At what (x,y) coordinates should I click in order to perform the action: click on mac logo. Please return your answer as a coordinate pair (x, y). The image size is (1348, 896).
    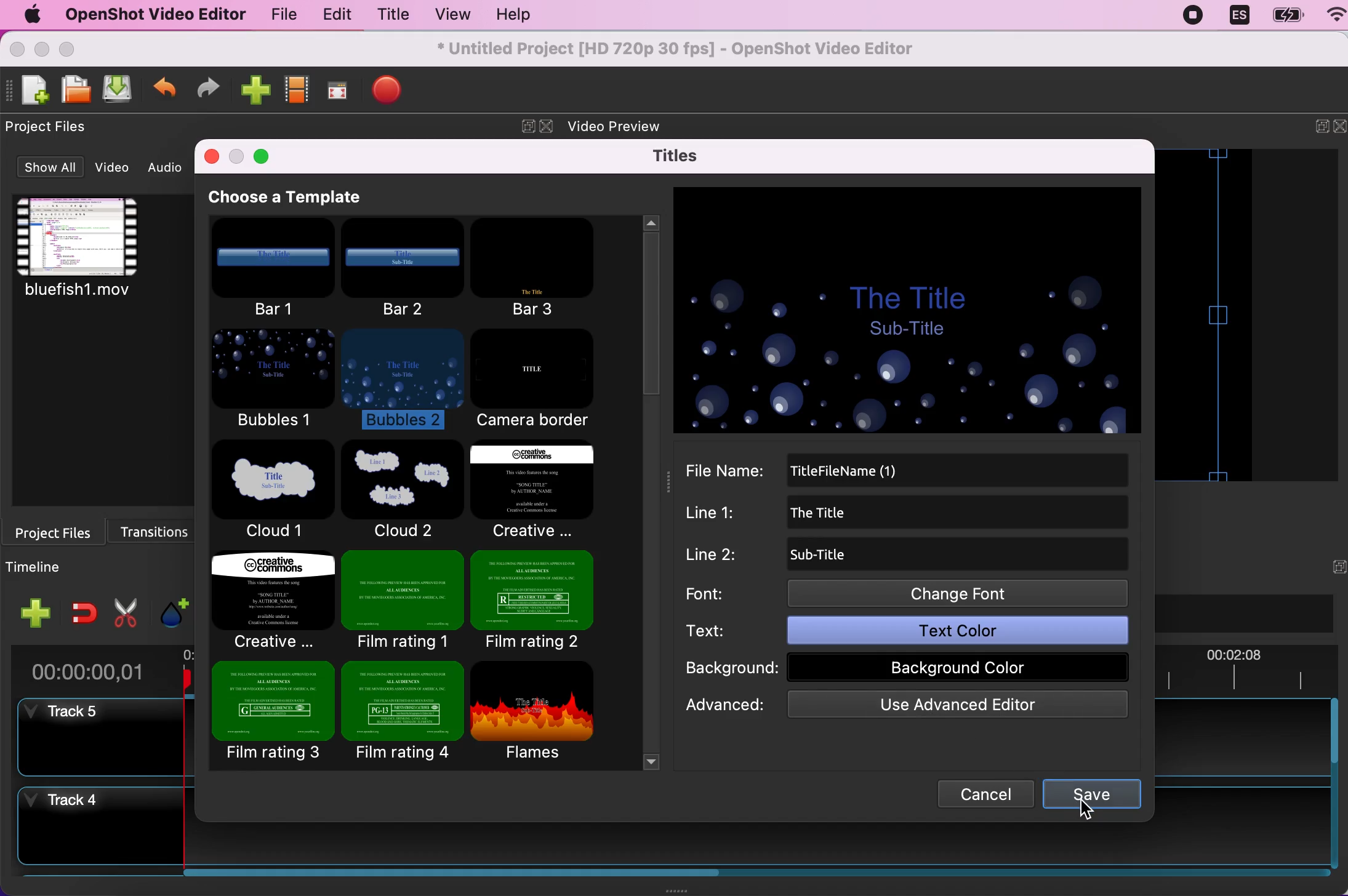
    Looking at the image, I should click on (28, 15).